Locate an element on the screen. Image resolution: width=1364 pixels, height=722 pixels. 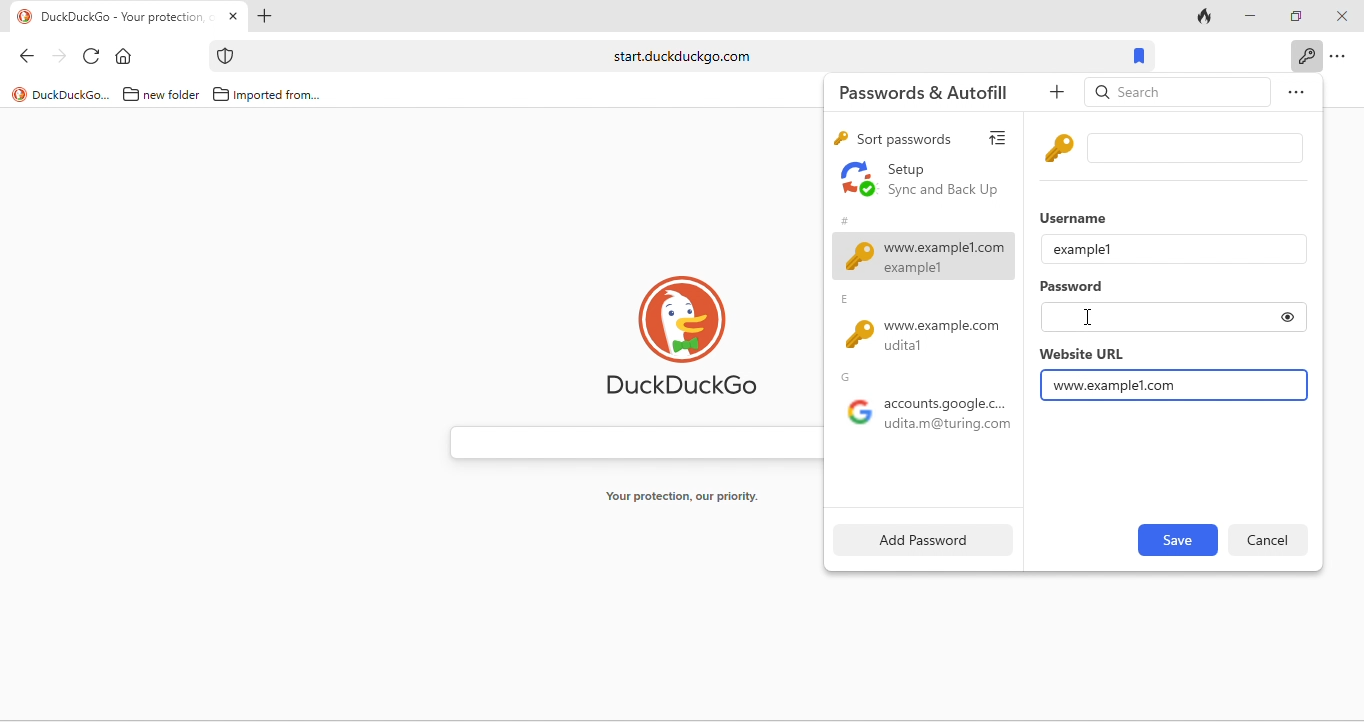
passwords and autofill is located at coordinates (936, 91).